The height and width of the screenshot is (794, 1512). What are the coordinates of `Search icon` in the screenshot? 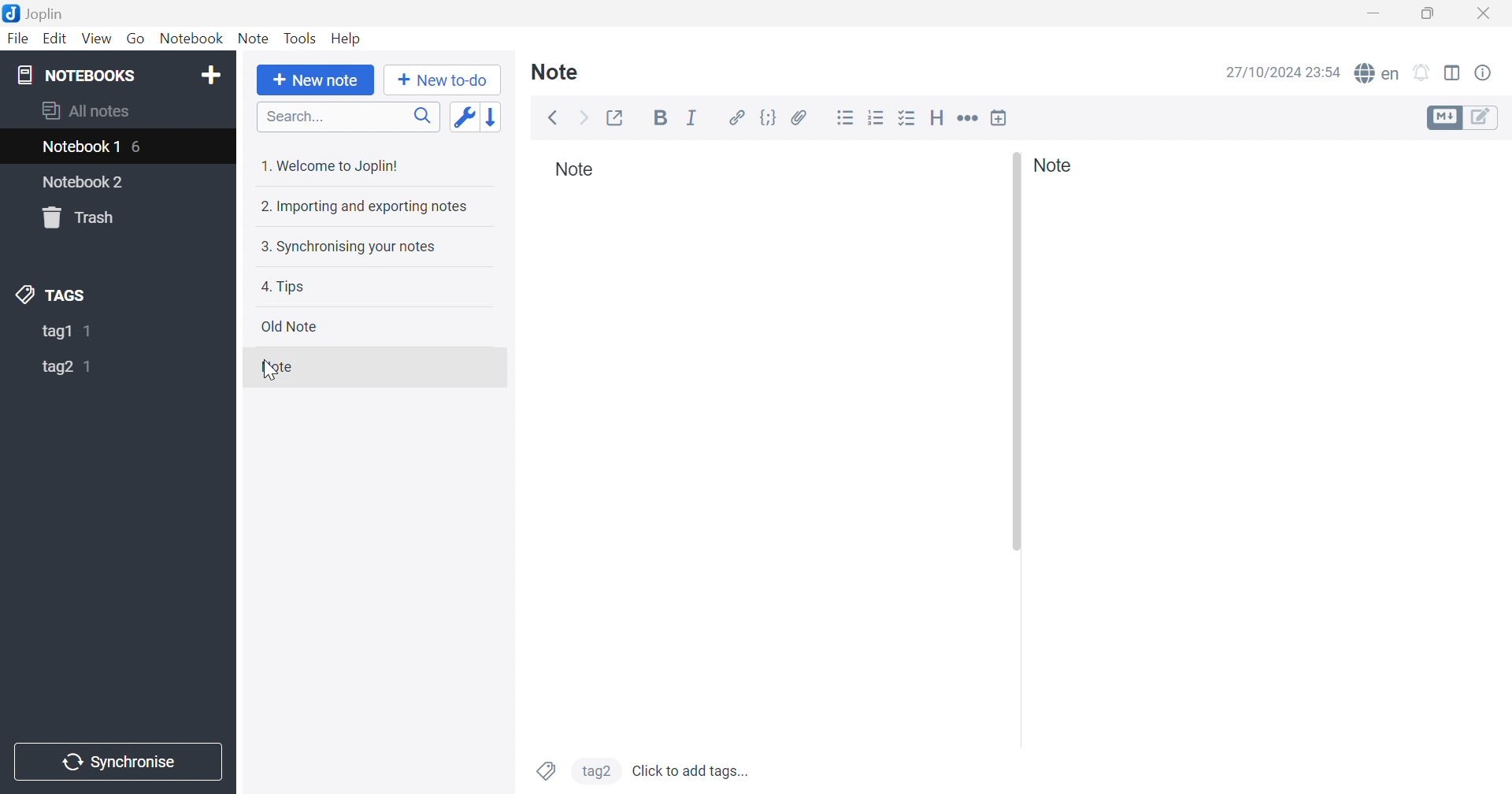 It's located at (418, 118).